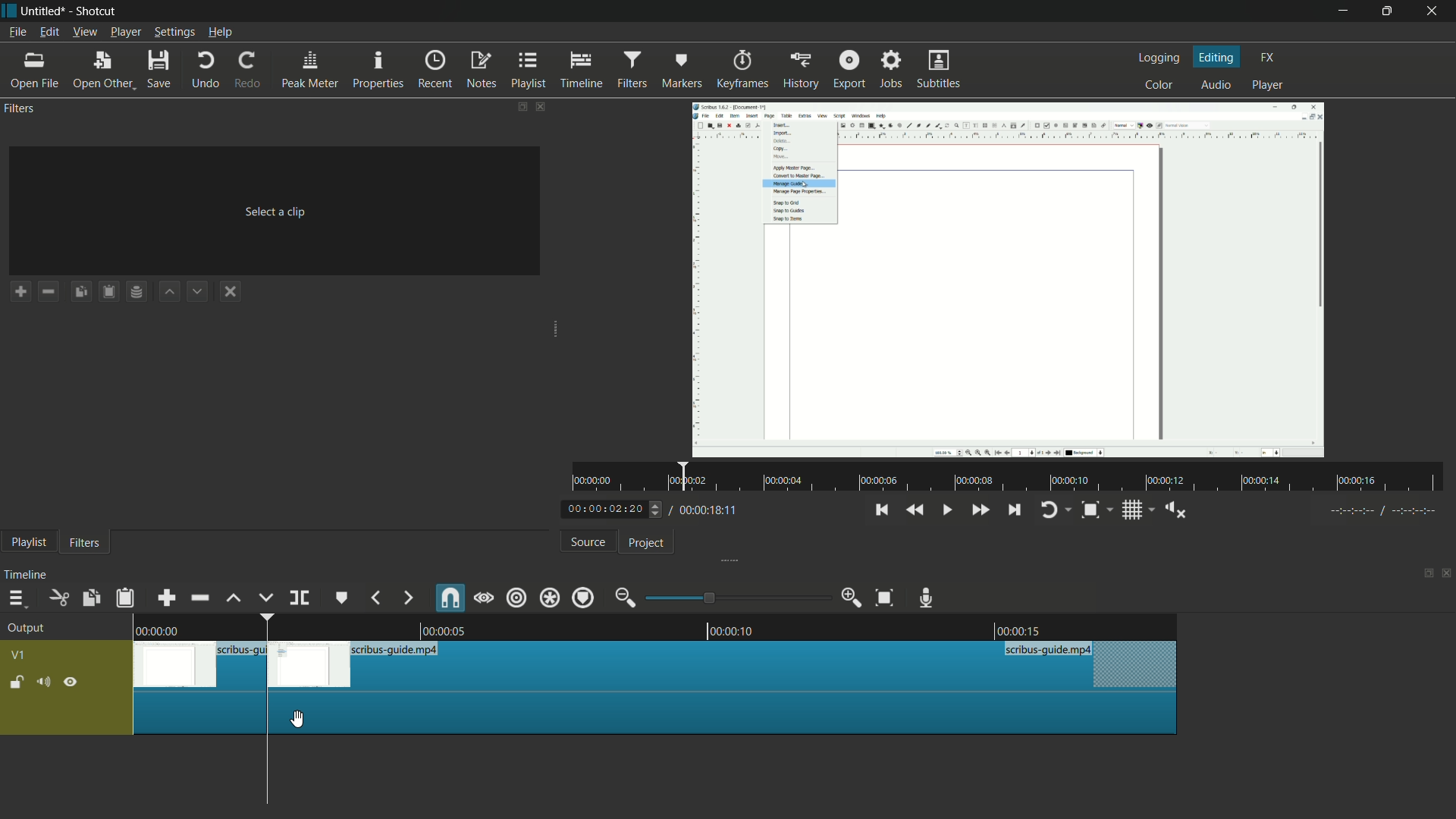 The image size is (1456, 819). Describe the element at coordinates (885, 598) in the screenshot. I see `zoom timeline to fit` at that location.